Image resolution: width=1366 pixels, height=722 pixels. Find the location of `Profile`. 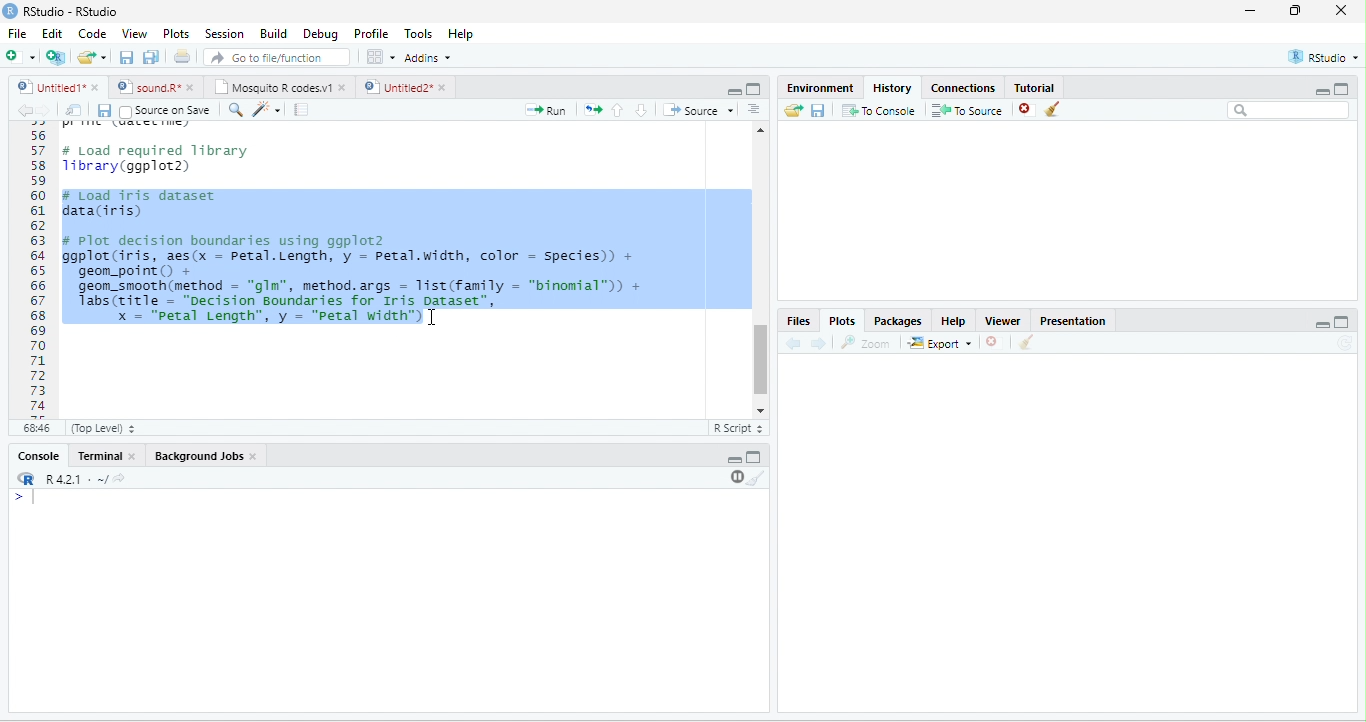

Profile is located at coordinates (373, 34).